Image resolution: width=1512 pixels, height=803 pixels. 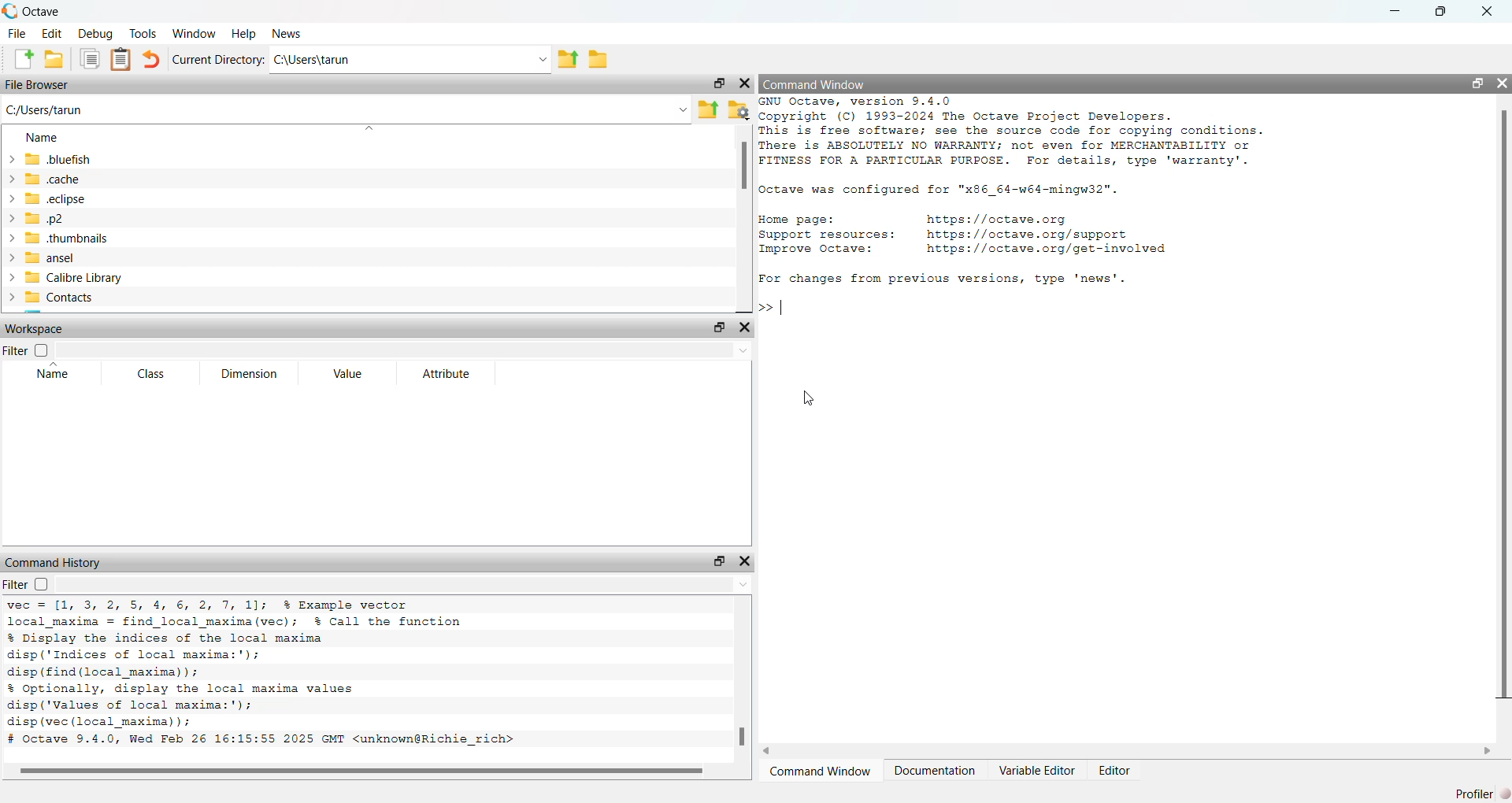 What do you see at coordinates (744, 83) in the screenshot?
I see `Hide Widget` at bounding box center [744, 83].